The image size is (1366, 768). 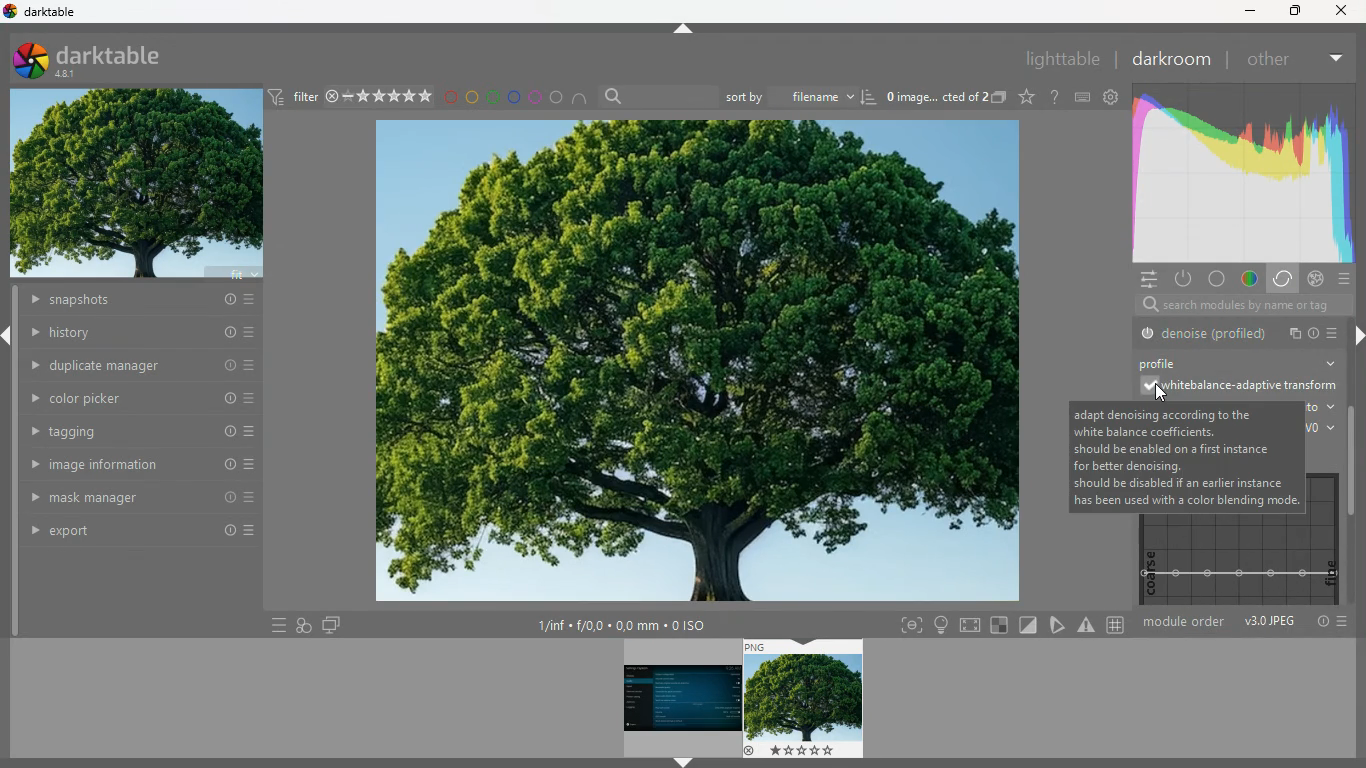 I want to click on yellow, so click(x=471, y=97).